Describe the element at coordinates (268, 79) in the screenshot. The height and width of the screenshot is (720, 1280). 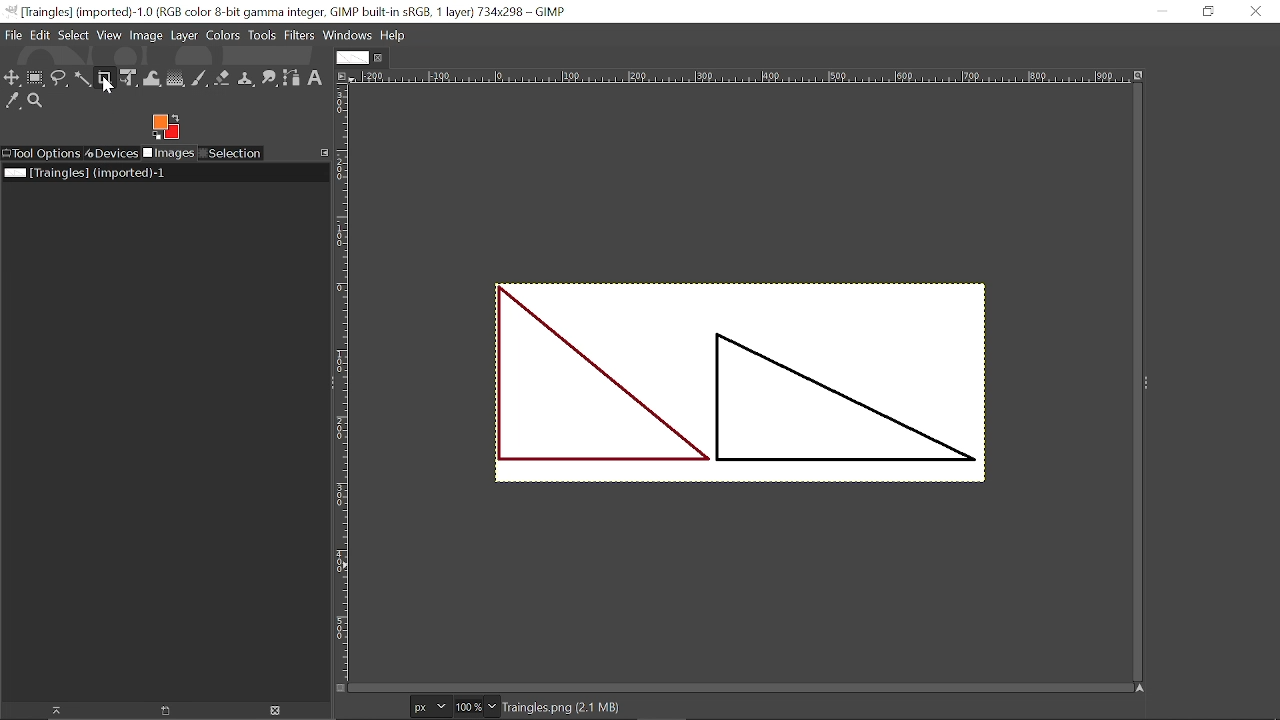
I see `Smudge tool` at that location.